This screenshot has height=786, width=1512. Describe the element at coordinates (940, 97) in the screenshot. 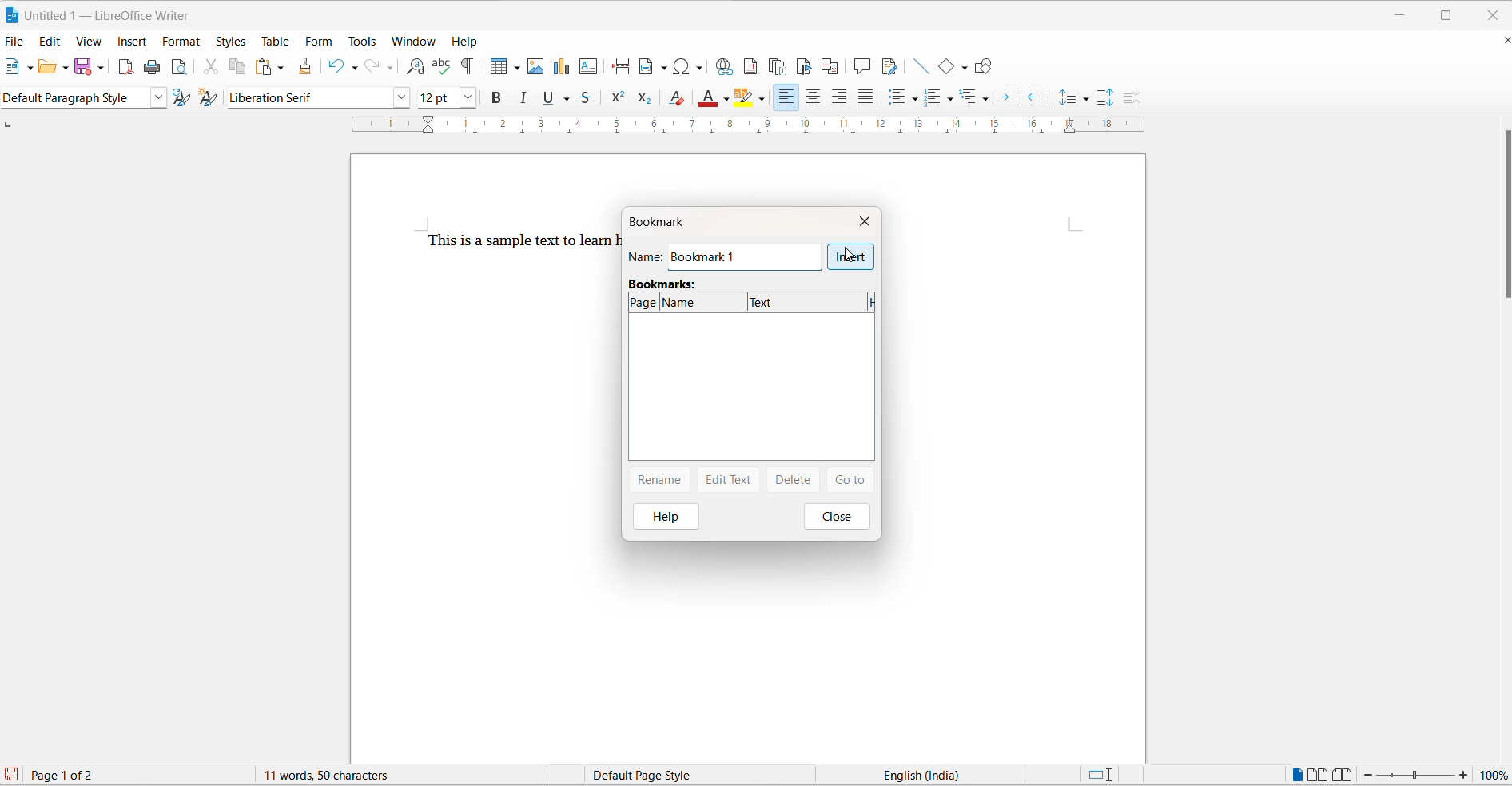

I see `` at that location.